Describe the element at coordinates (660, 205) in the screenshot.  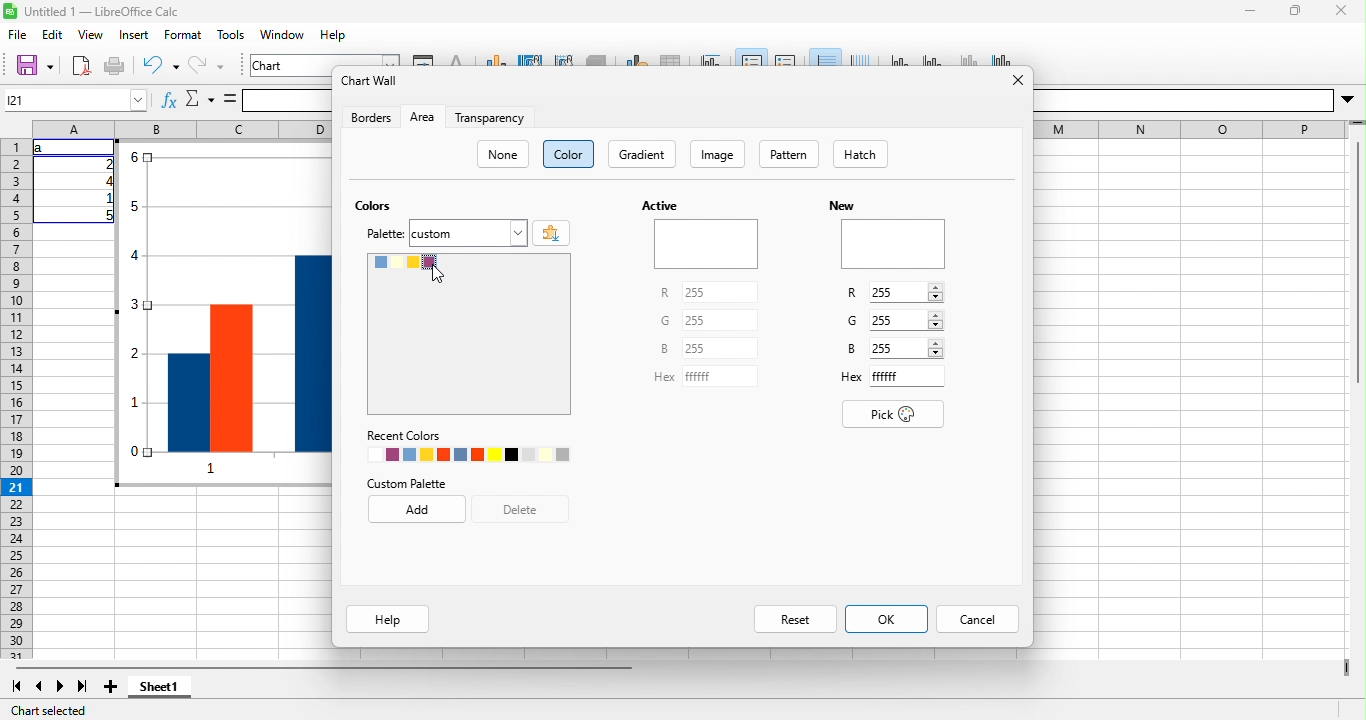
I see `Active` at that location.